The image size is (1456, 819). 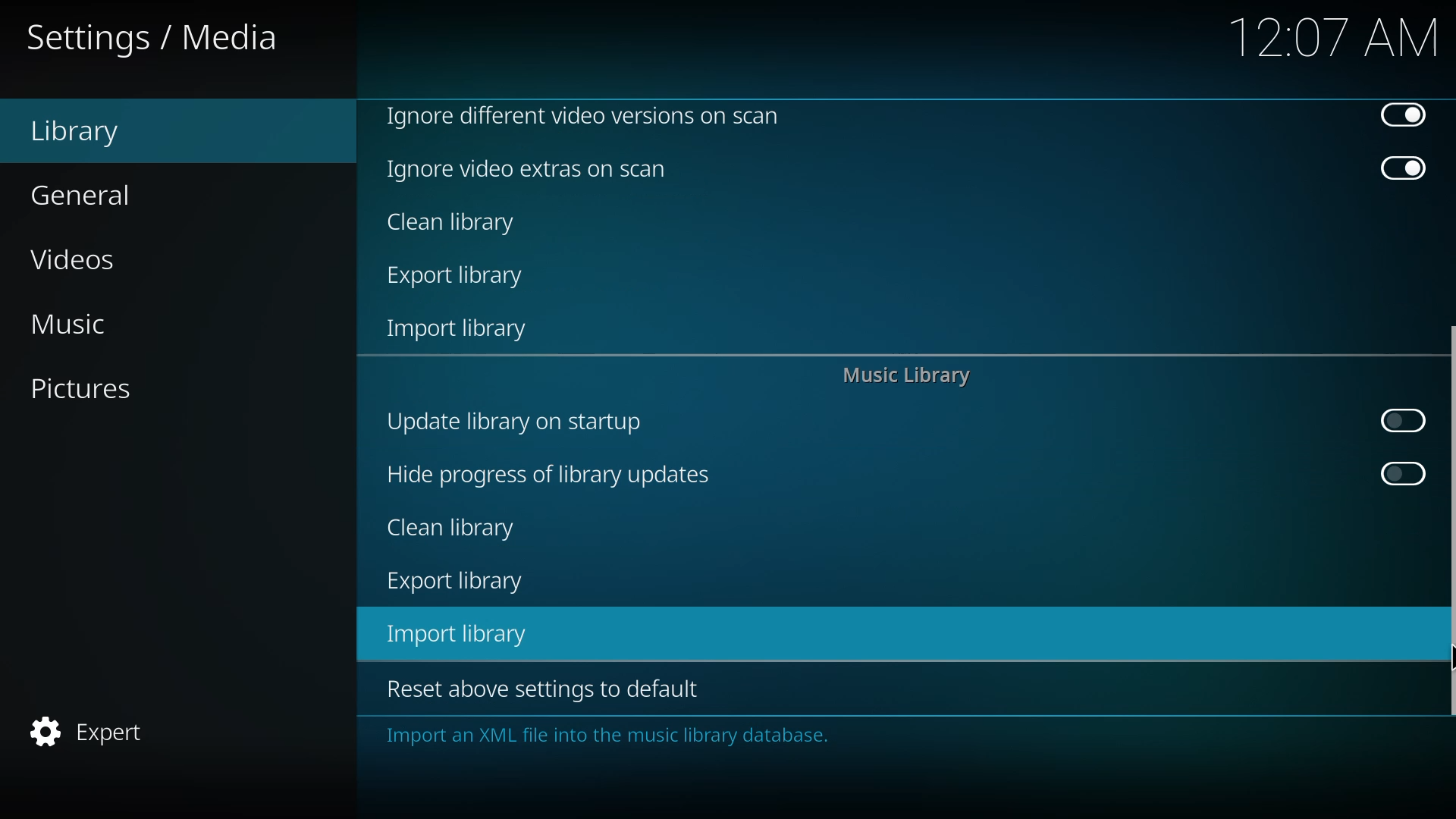 What do you see at coordinates (67, 324) in the screenshot?
I see `music` at bounding box center [67, 324].